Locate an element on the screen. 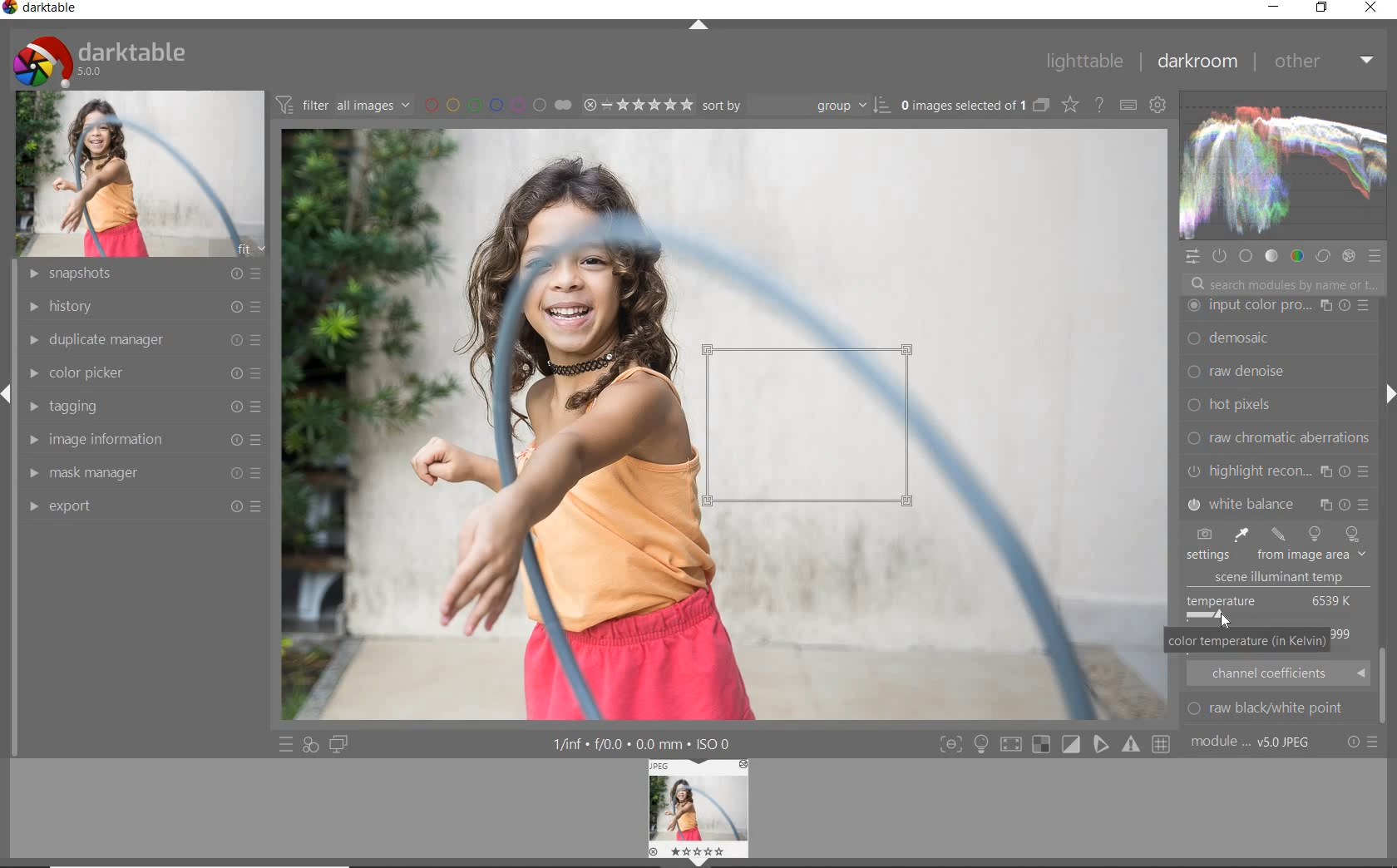  toggle mode  is located at coordinates (1014, 743).